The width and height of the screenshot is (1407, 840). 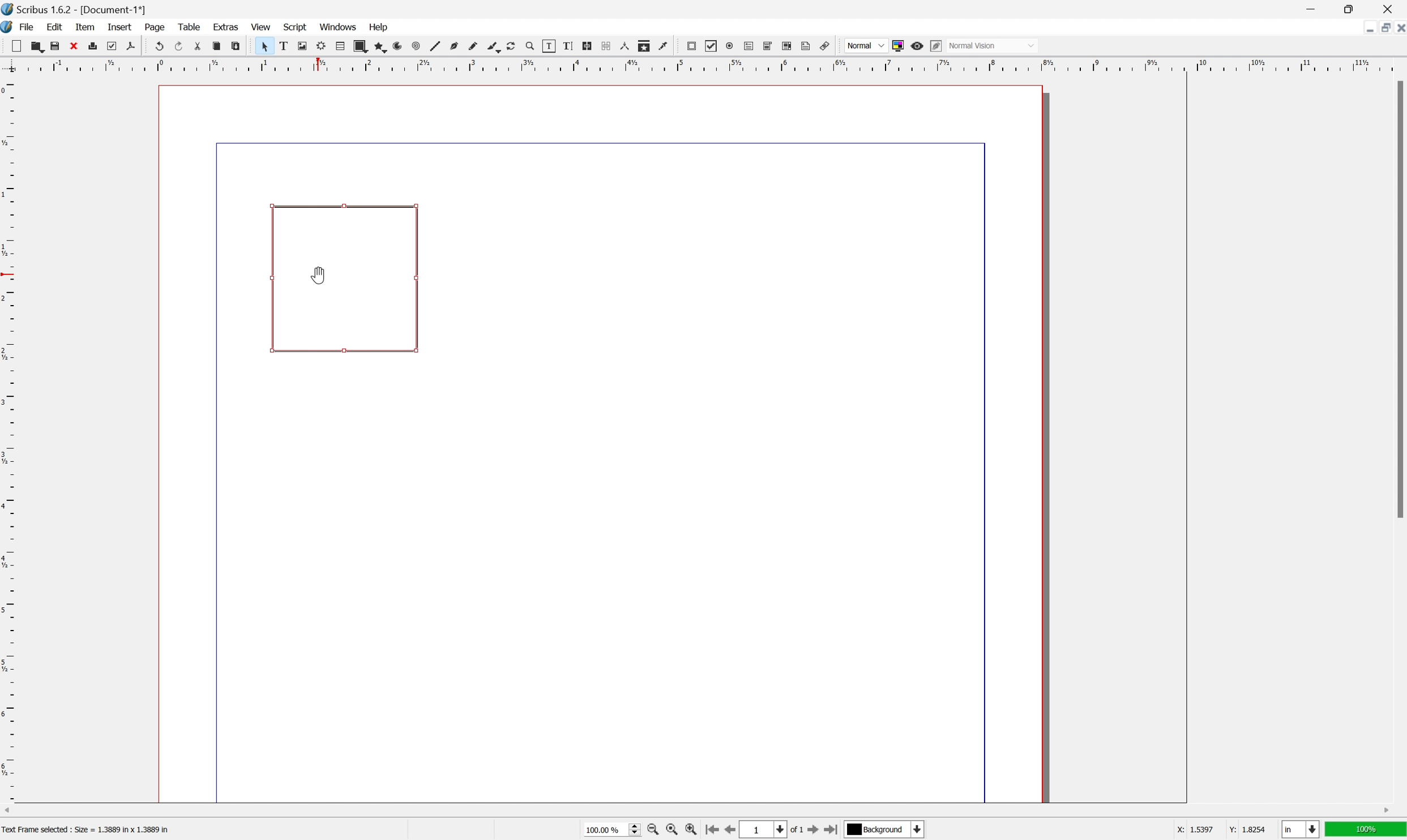 I want to click on text box, so click(x=345, y=280).